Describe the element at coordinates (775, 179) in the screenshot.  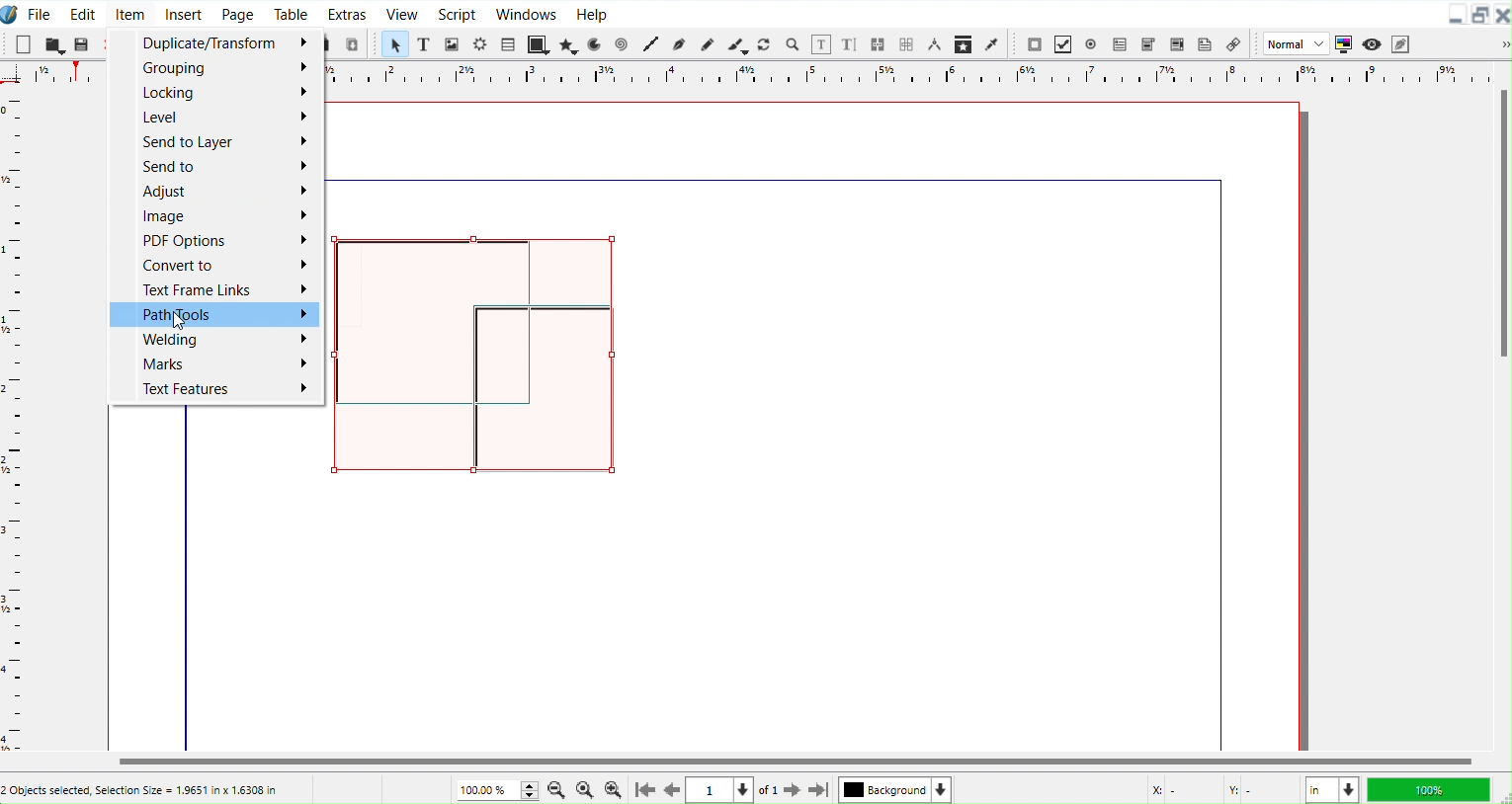
I see `line` at that location.